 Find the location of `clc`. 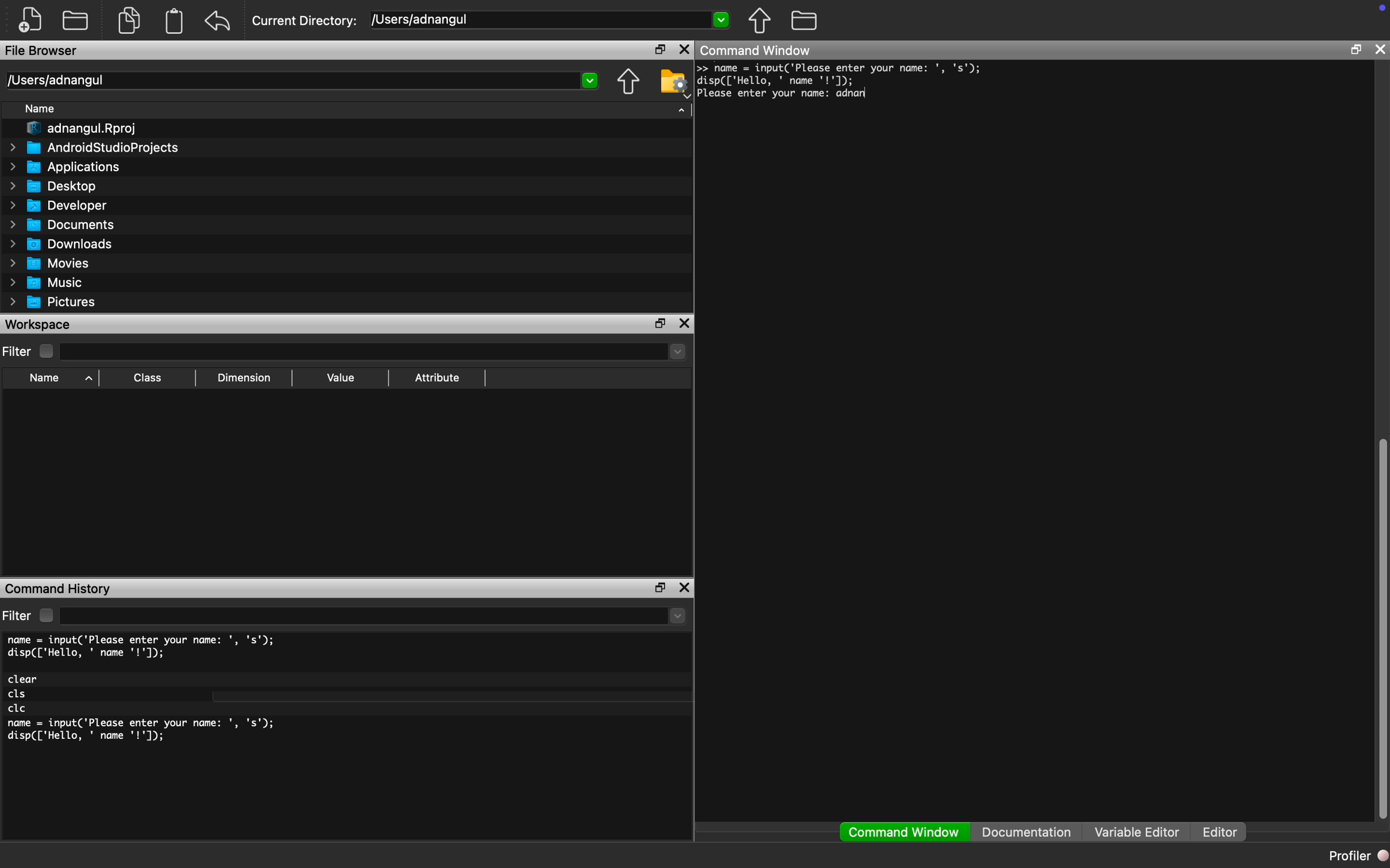

clc is located at coordinates (18, 709).